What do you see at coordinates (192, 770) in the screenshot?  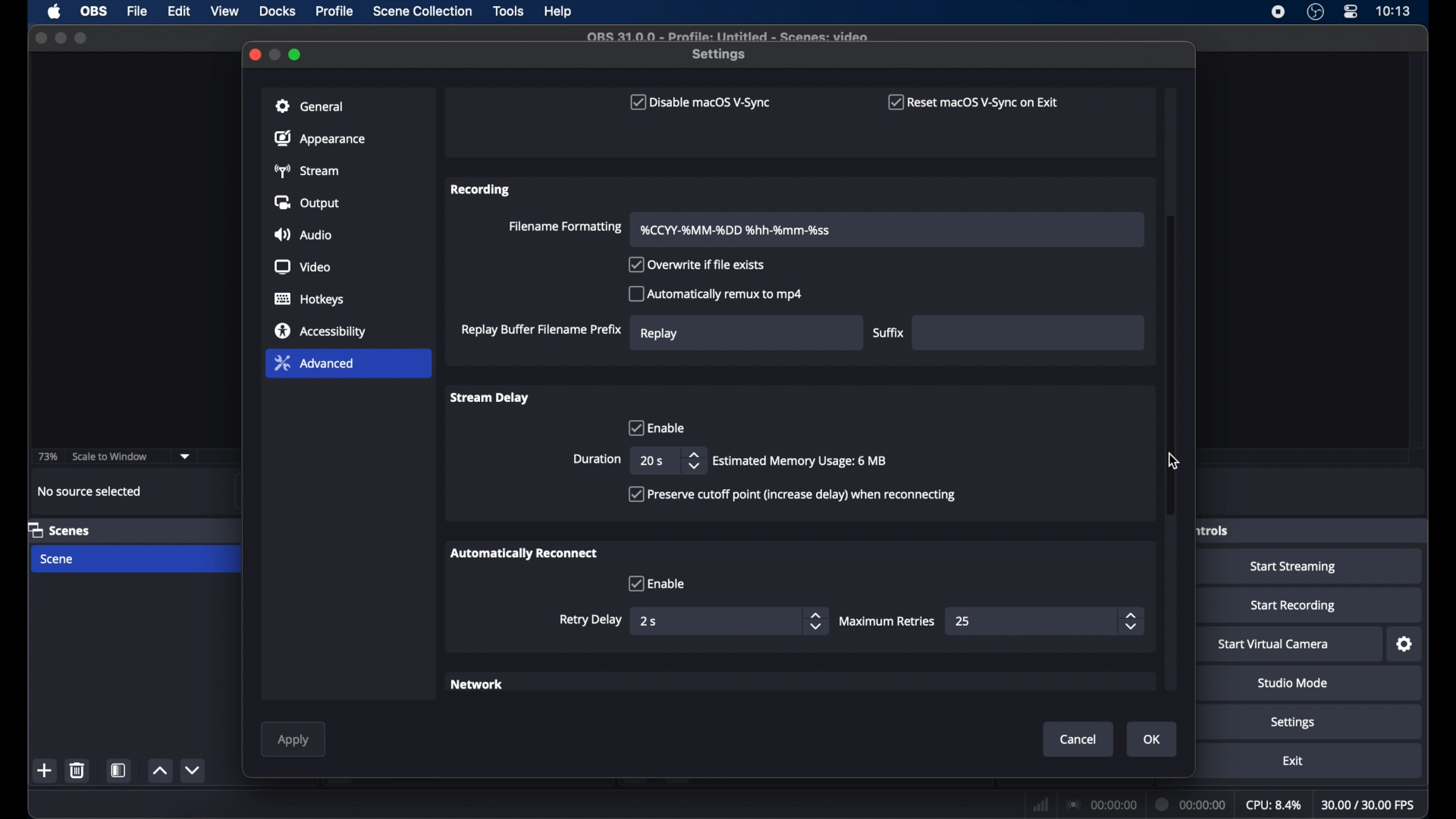 I see `decrement` at bounding box center [192, 770].